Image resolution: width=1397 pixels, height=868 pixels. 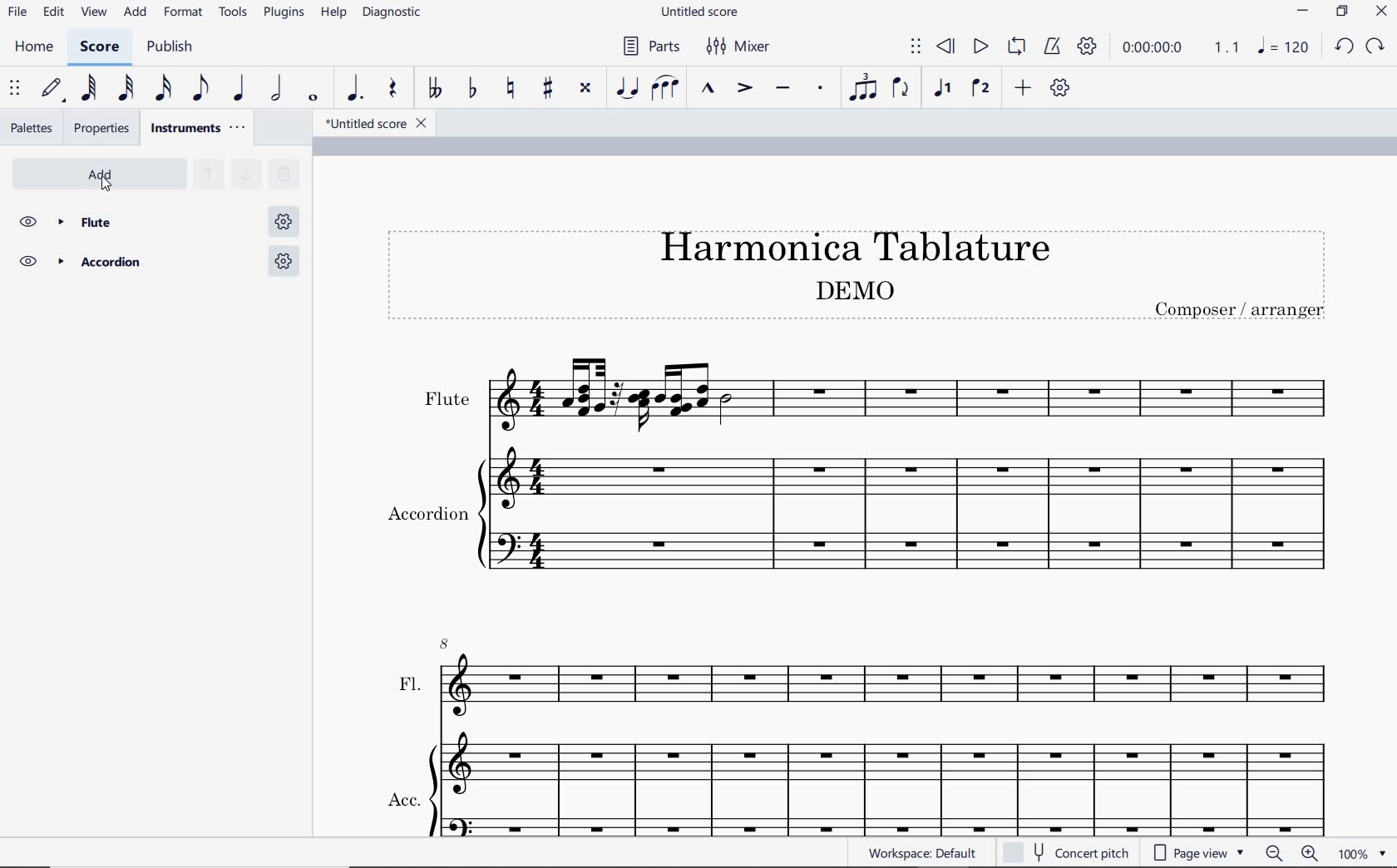 I want to click on PUBLISH, so click(x=172, y=47).